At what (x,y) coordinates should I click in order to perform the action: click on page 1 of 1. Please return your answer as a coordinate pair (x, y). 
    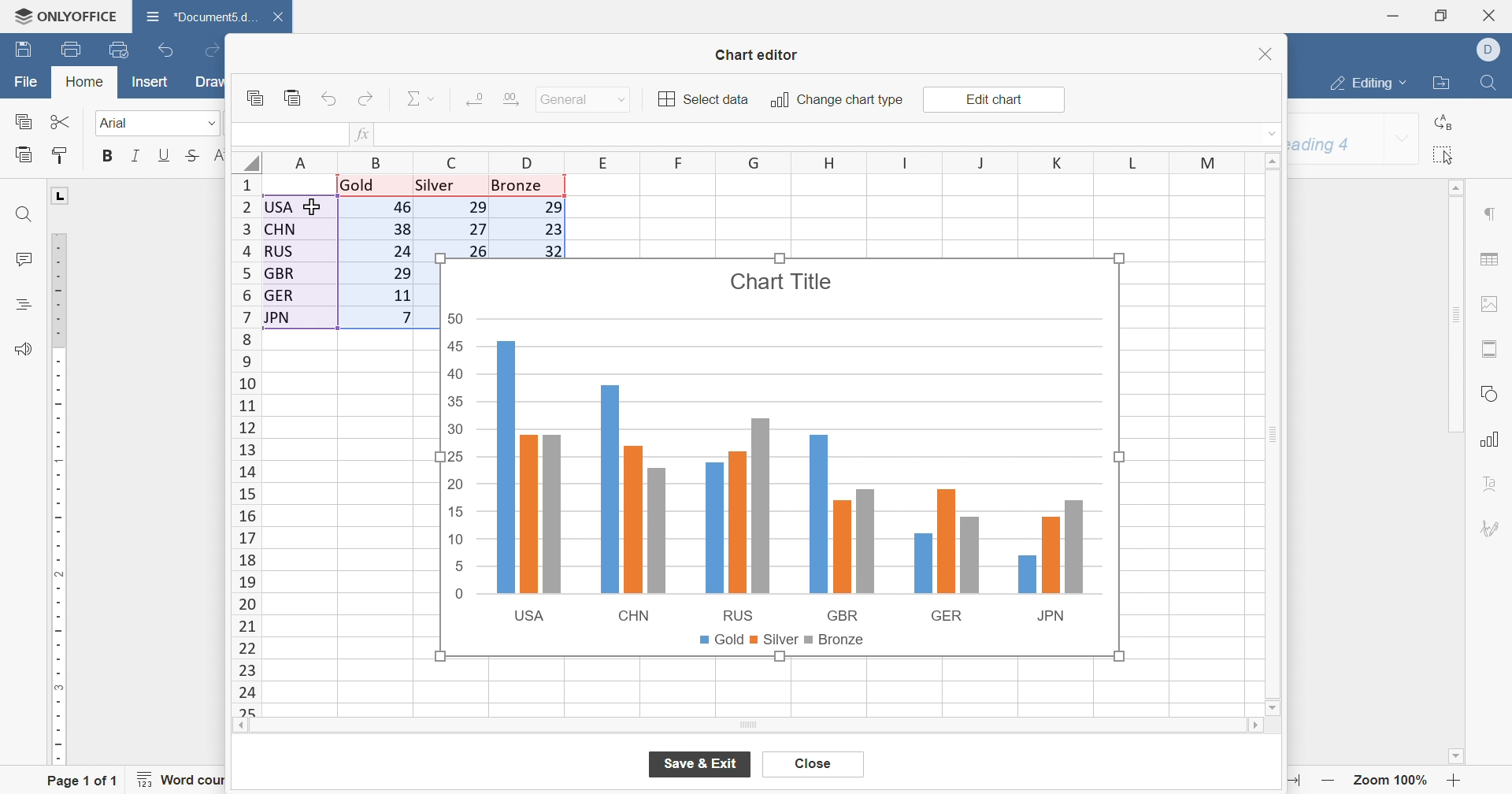
    Looking at the image, I should click on (83, 783).